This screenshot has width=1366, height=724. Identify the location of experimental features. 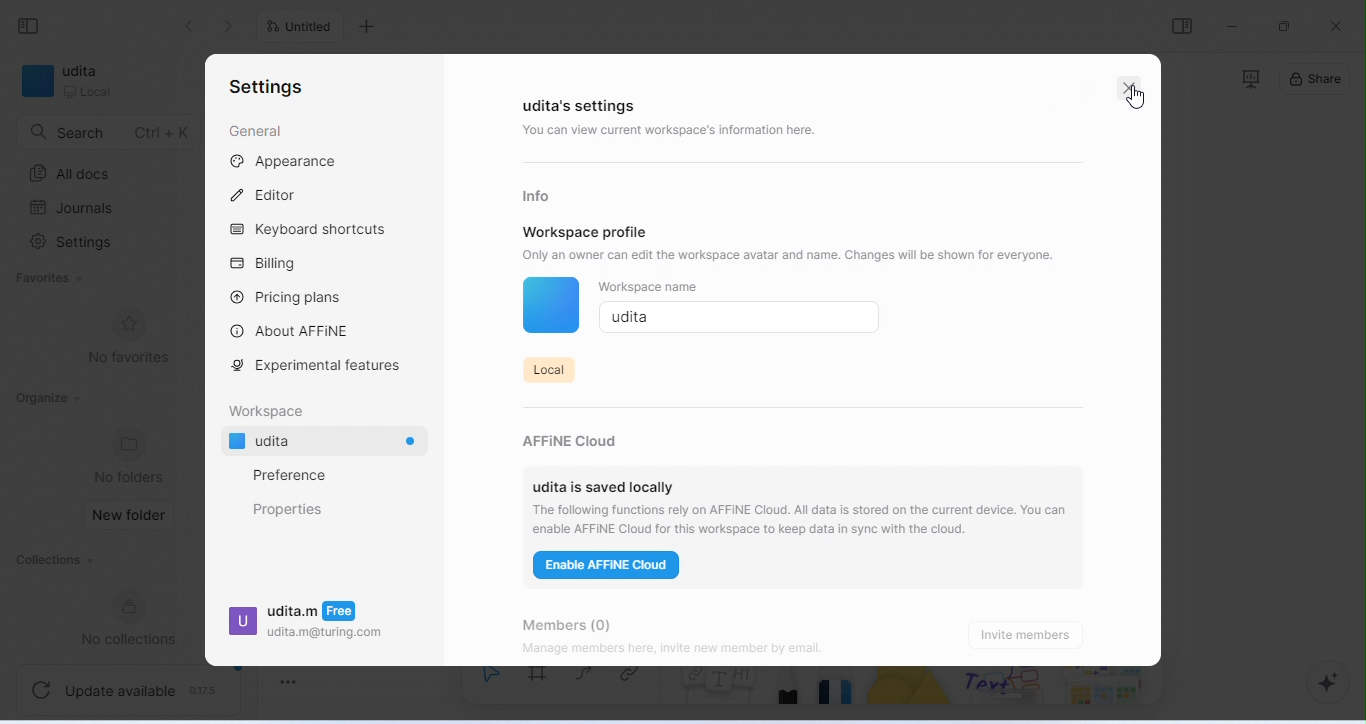
(321, 366).